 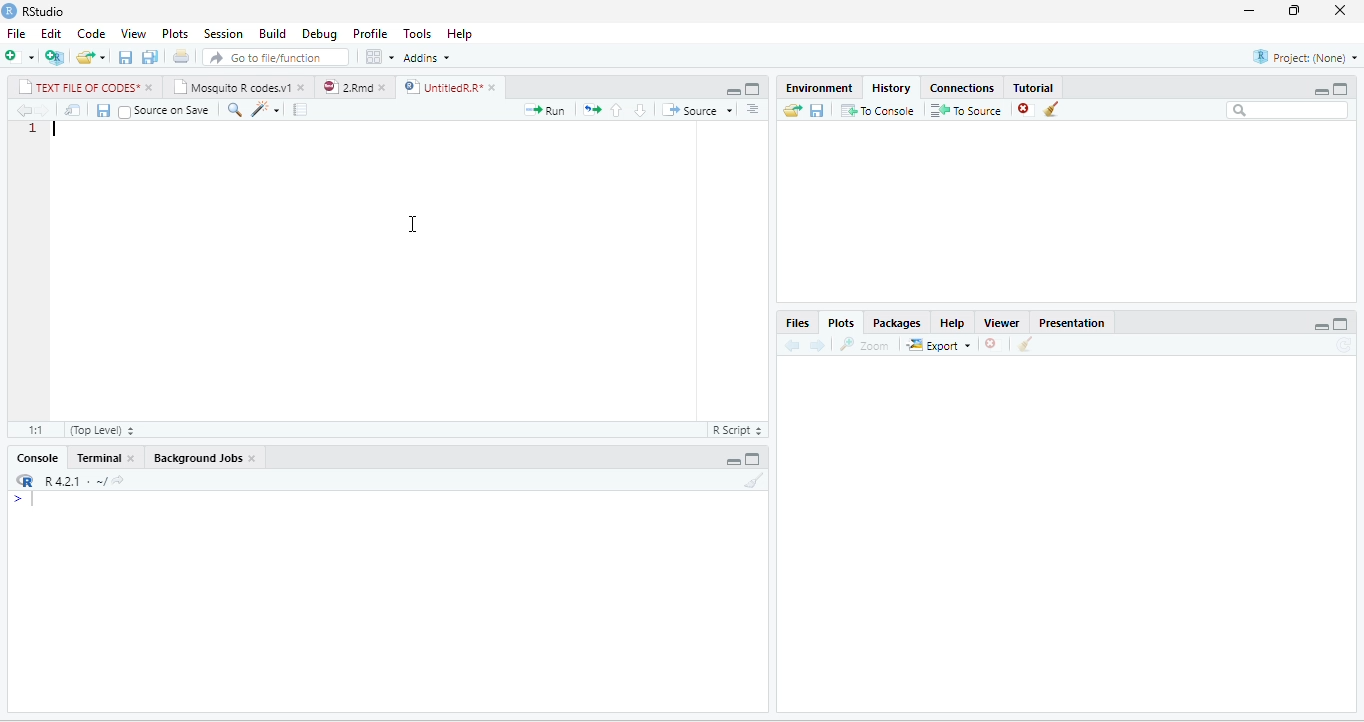 I want to click on minimize, so click(x=733, y=91).